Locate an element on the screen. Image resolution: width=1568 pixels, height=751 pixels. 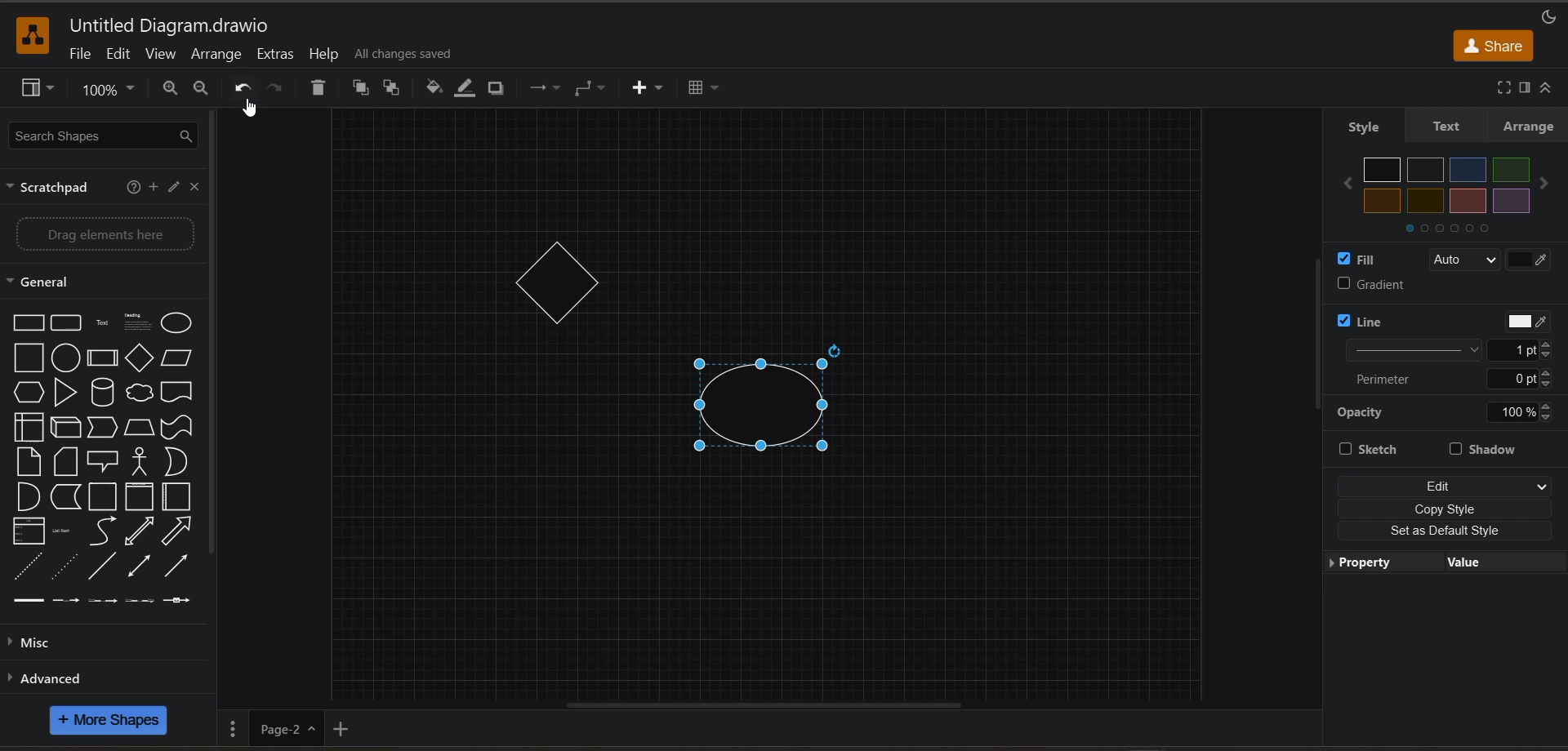
Process is located at coordinates (102, 358).